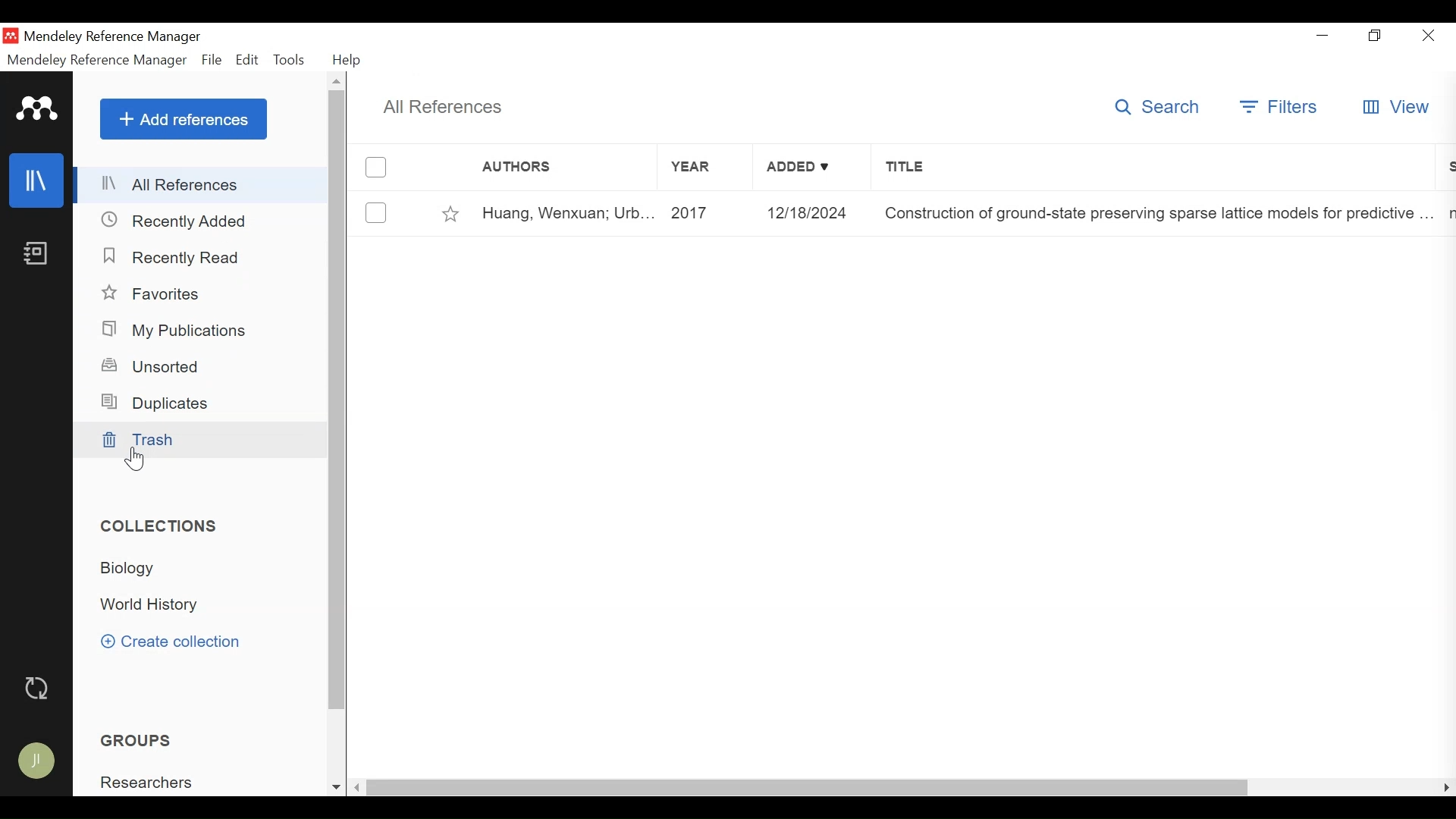  I want to click on Title, so click(1150, 168).